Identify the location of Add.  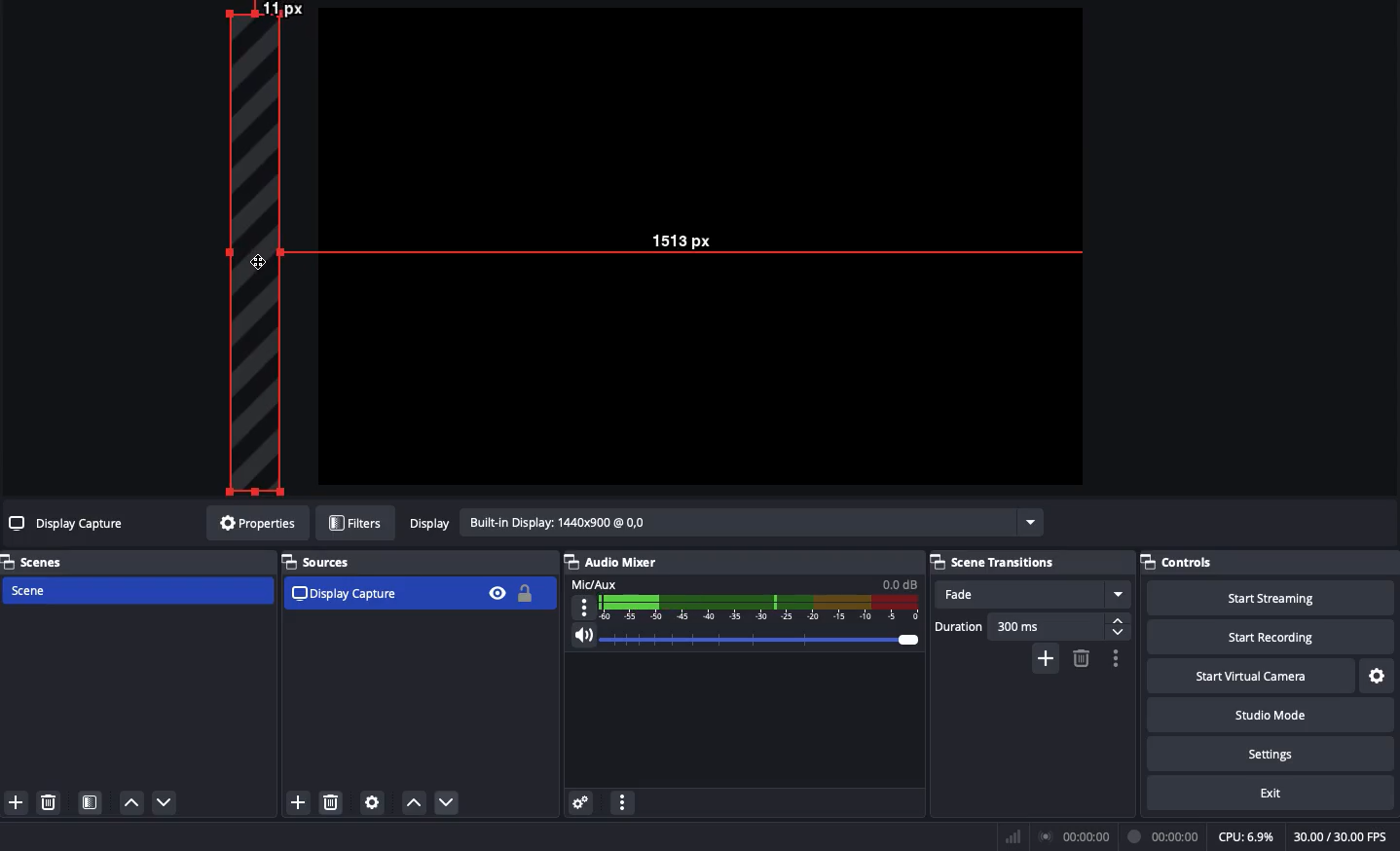
(297, 804).